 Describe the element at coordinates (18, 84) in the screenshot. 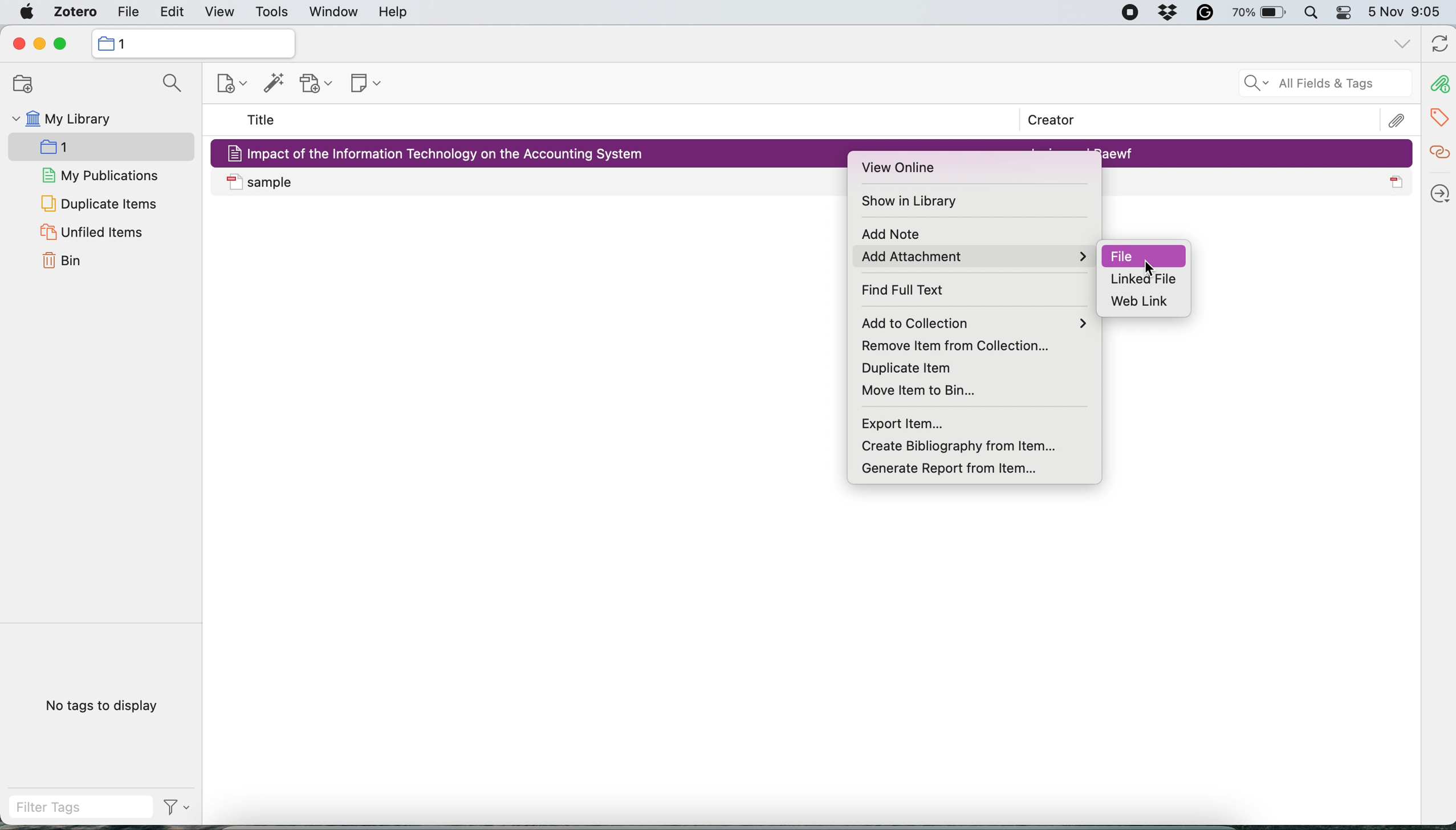

I see `new collection` at that location.